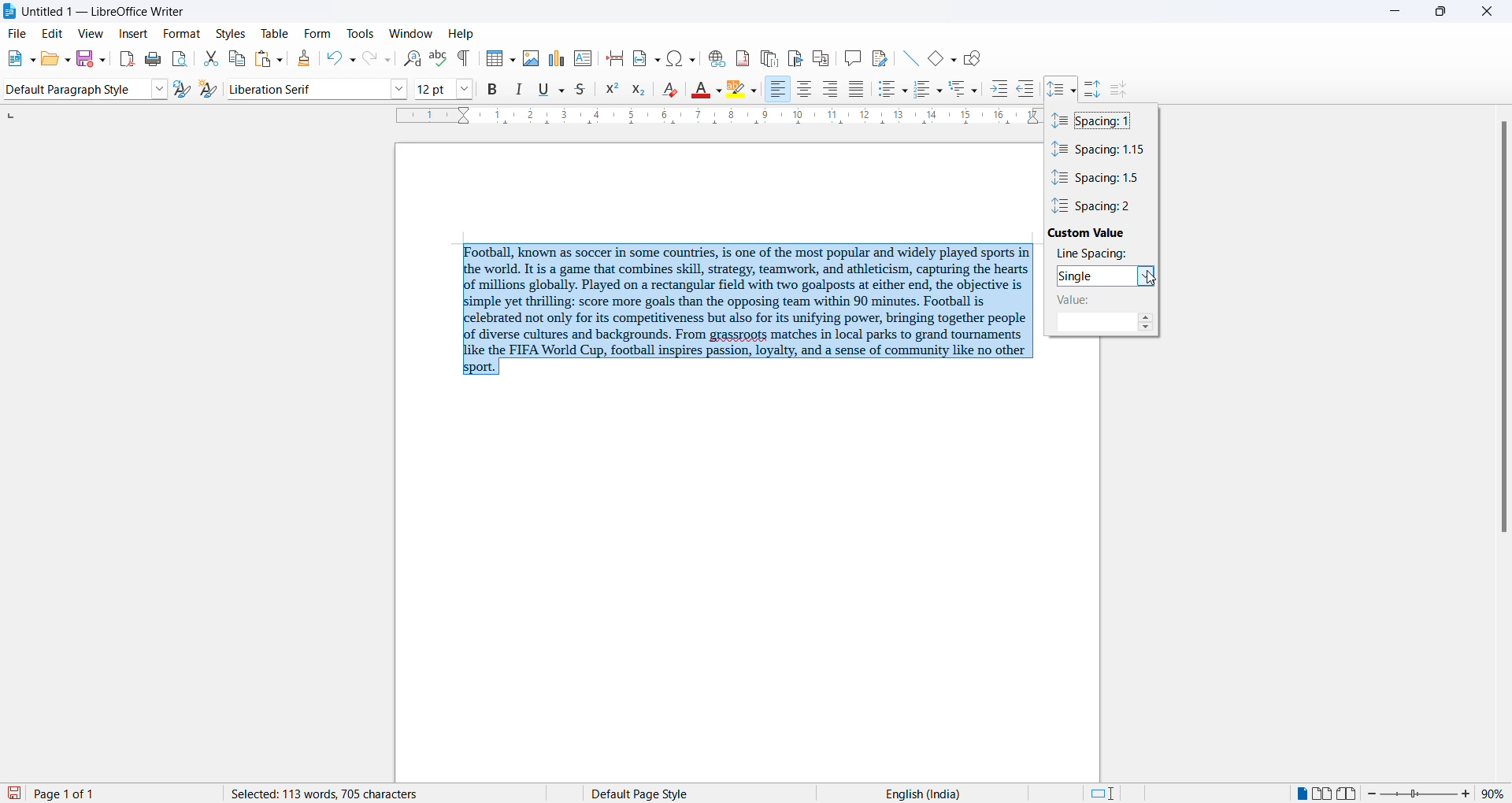  I want to click on text language, so click(977, 793).